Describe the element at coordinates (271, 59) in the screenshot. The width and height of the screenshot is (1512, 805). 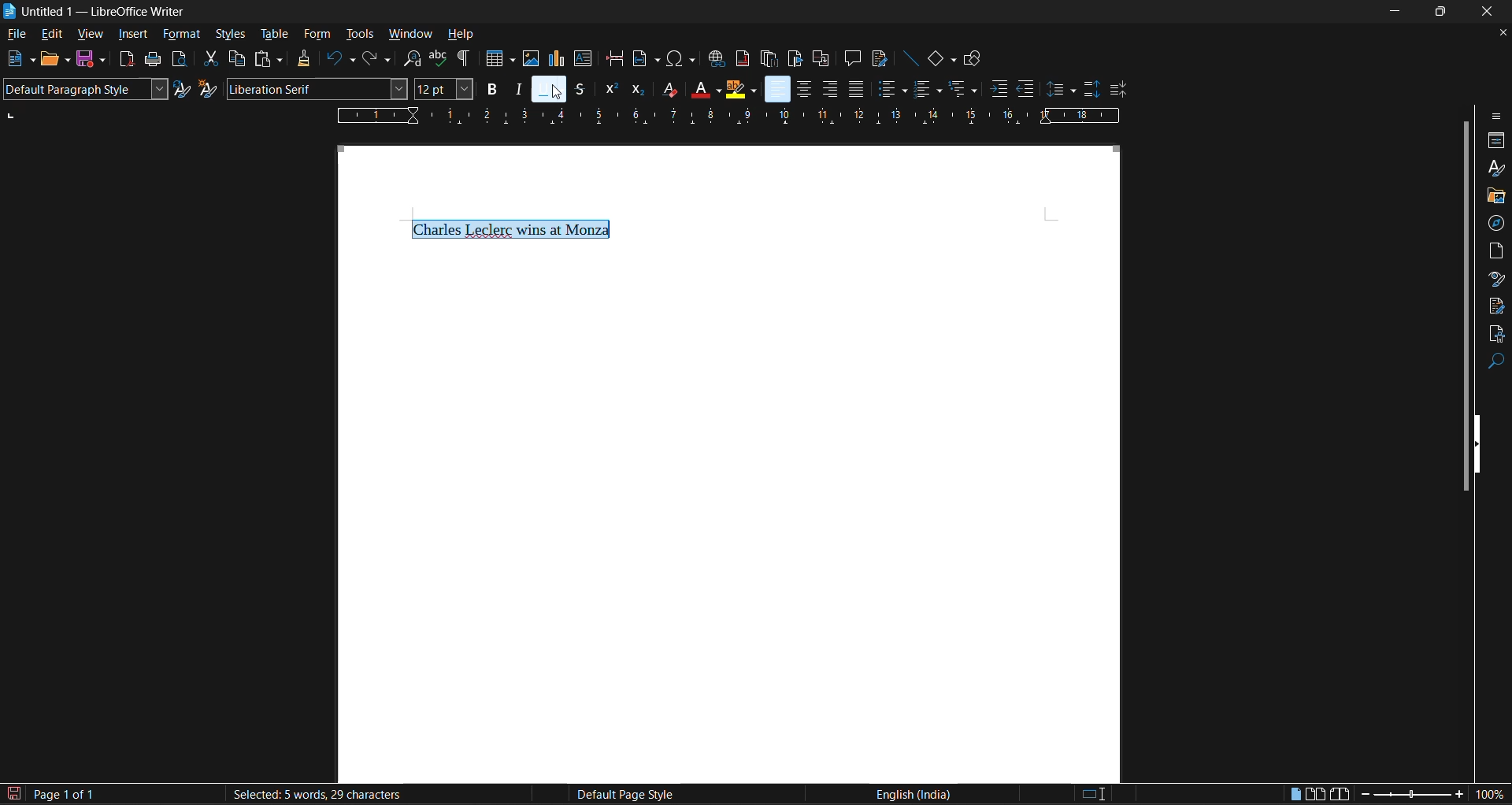
I see `paste` at that location.